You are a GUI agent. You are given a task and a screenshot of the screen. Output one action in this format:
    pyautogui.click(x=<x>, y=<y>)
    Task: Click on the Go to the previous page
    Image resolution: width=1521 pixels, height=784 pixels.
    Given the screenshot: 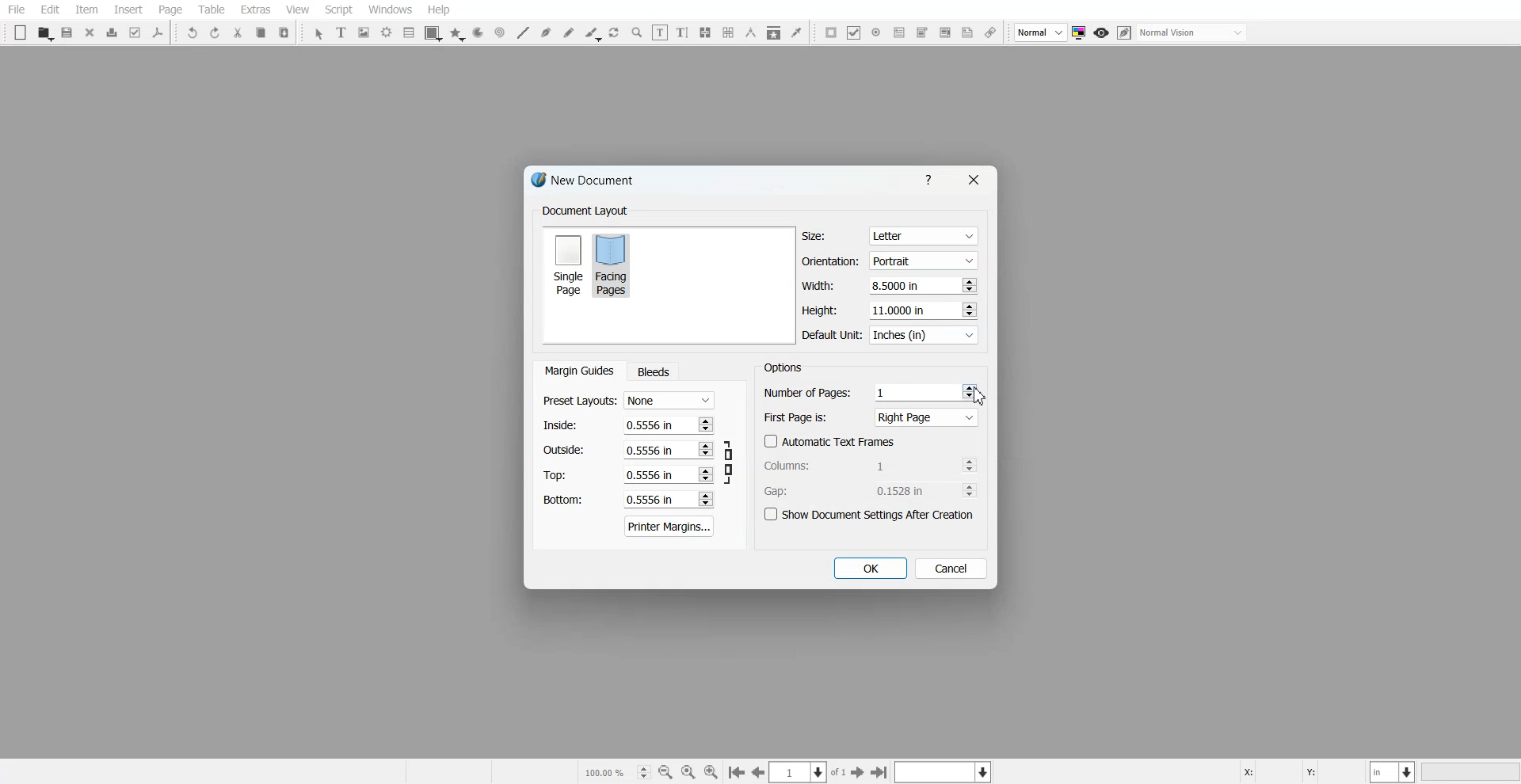 What is the action you would take?
    pyautogui.click(x=758, y=772)
    